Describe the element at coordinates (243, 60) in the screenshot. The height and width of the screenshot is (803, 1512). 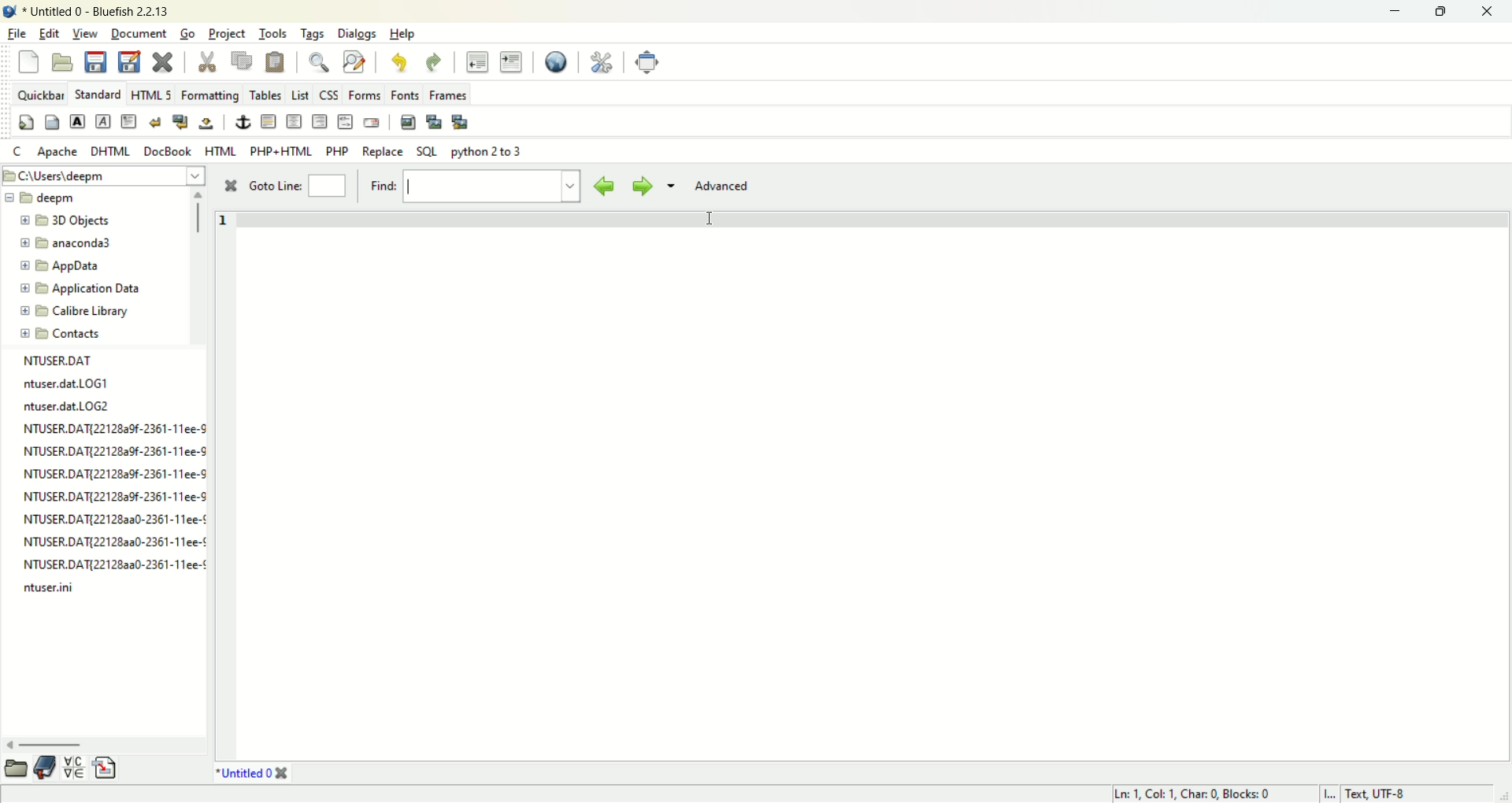
I see `copy` at that location.